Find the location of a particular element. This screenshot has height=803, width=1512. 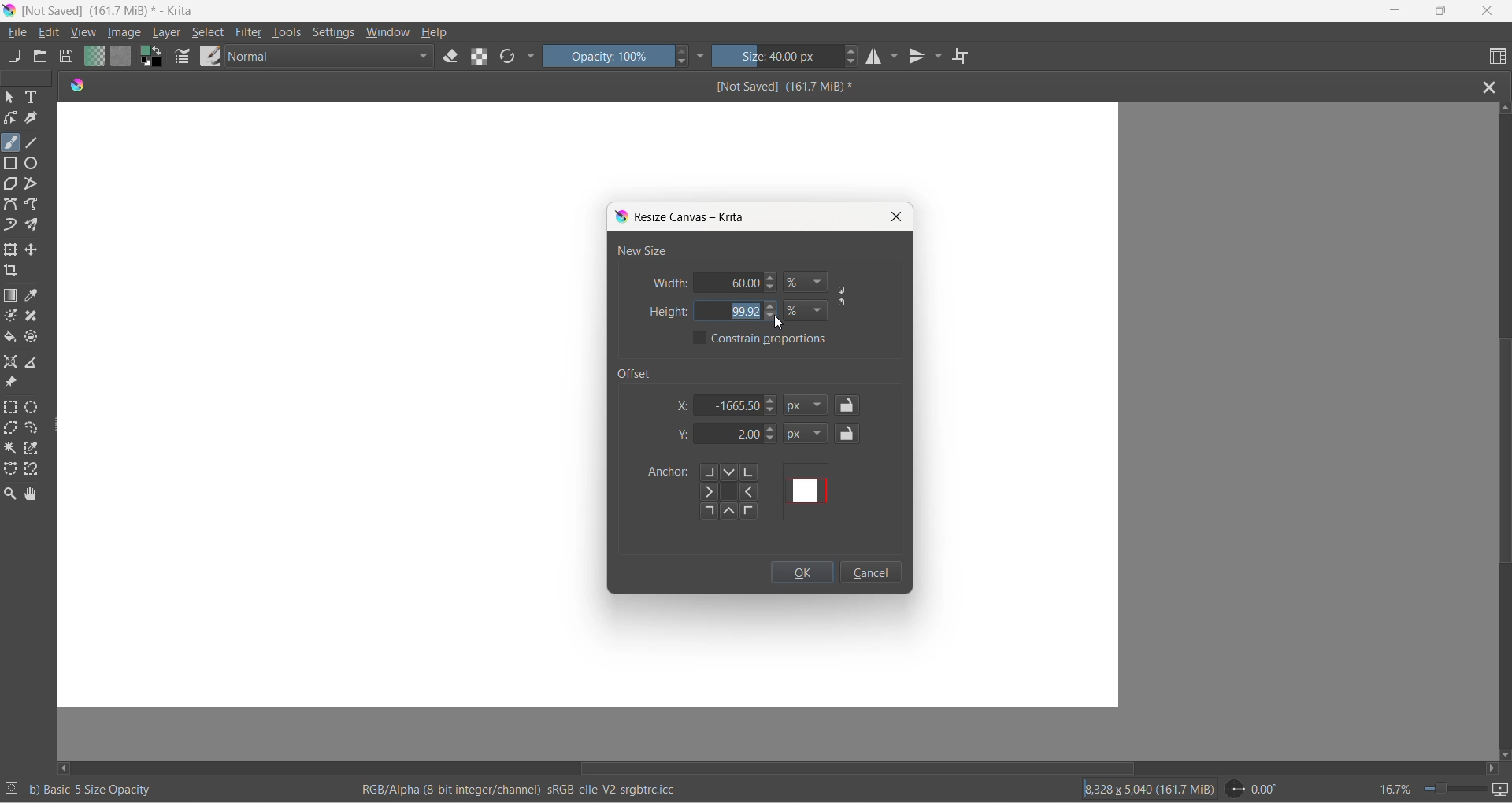

calligraphy is located at coordinates (31, 118).